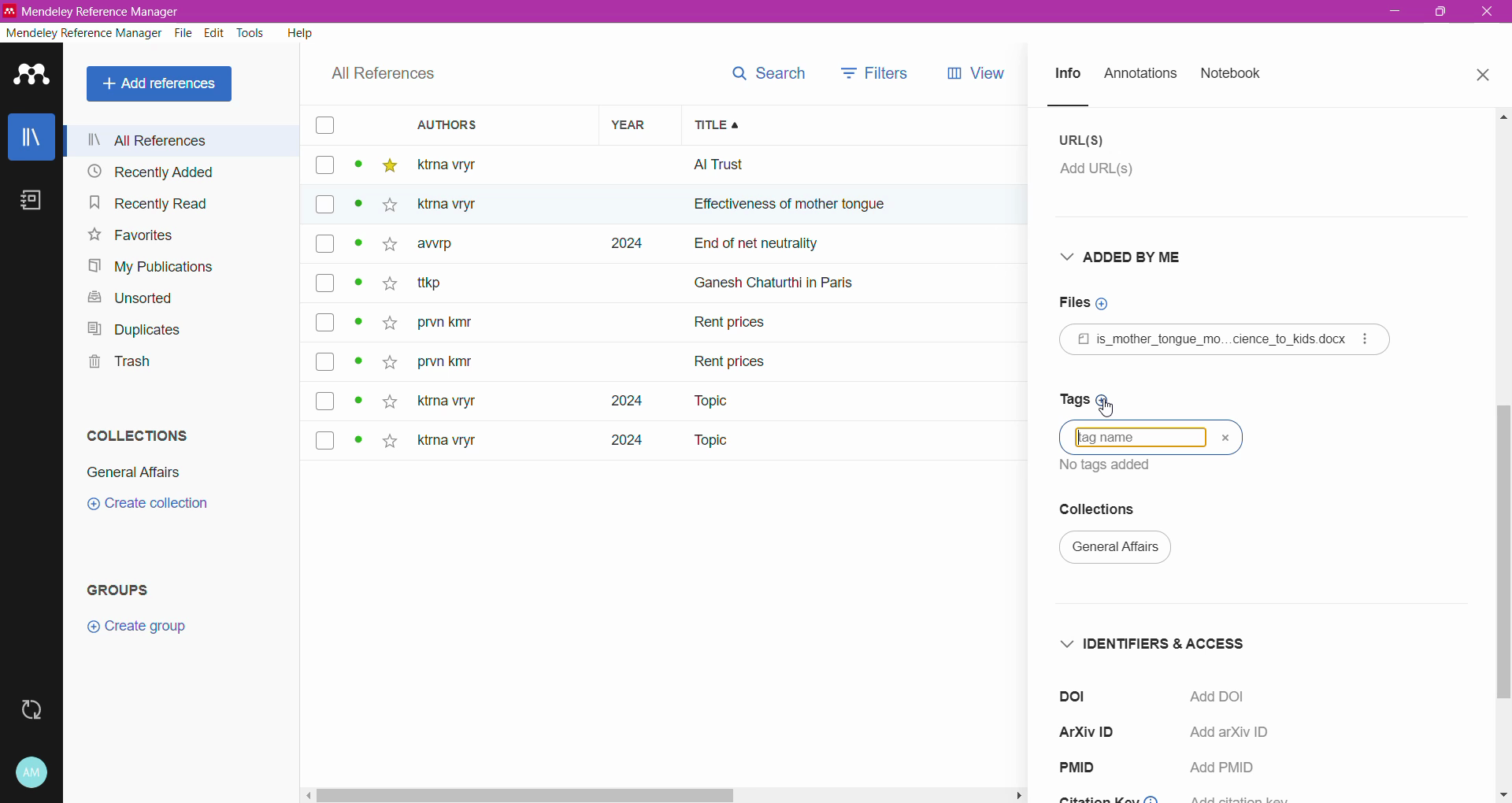 The height and width of the screenshot is (803, 1512). What do you see at coordinates (709, 442) in the screenshot?
I see `Topic` at bounding box center [709, 442].